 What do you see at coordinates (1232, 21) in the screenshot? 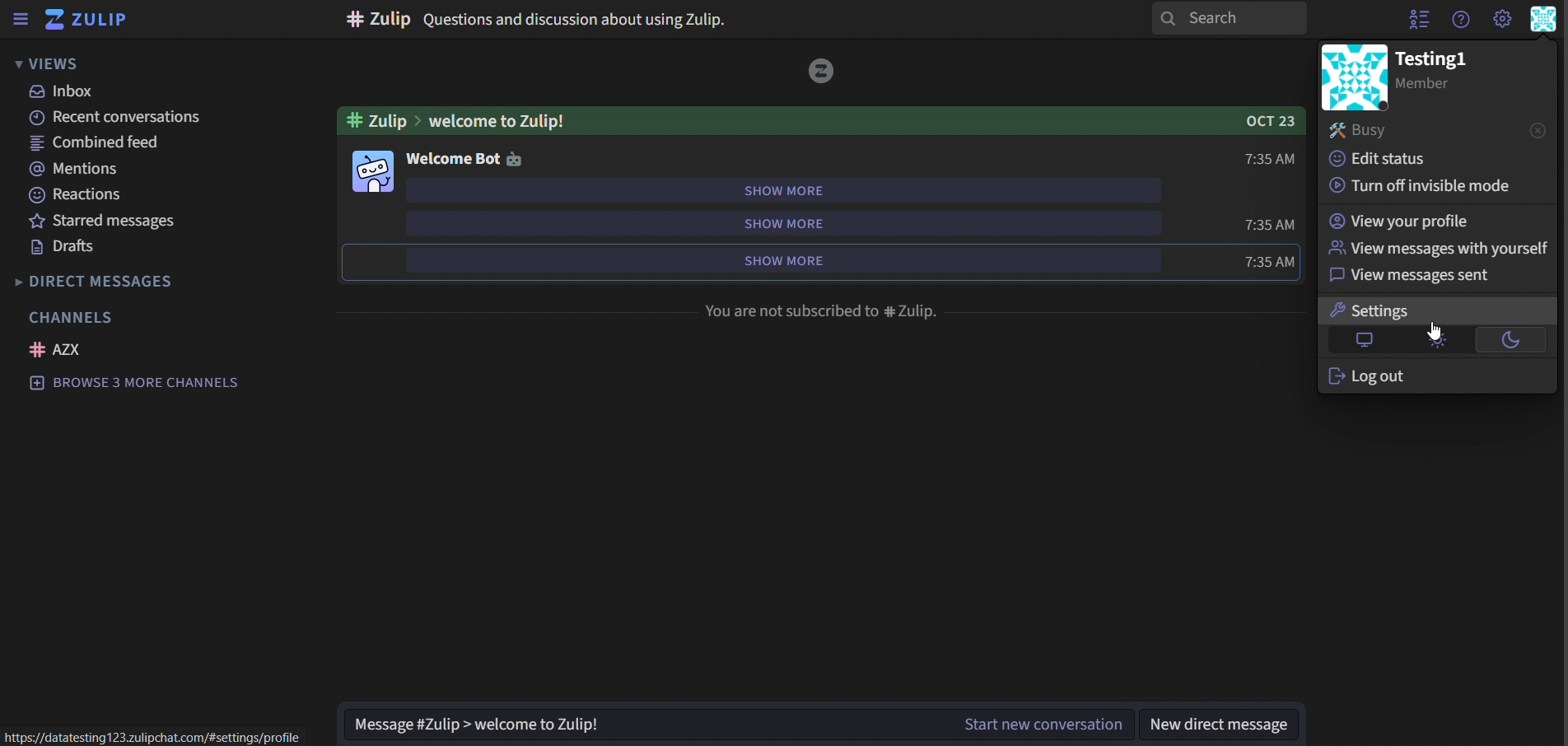
I see `search` at bounding box center [1232, 21].